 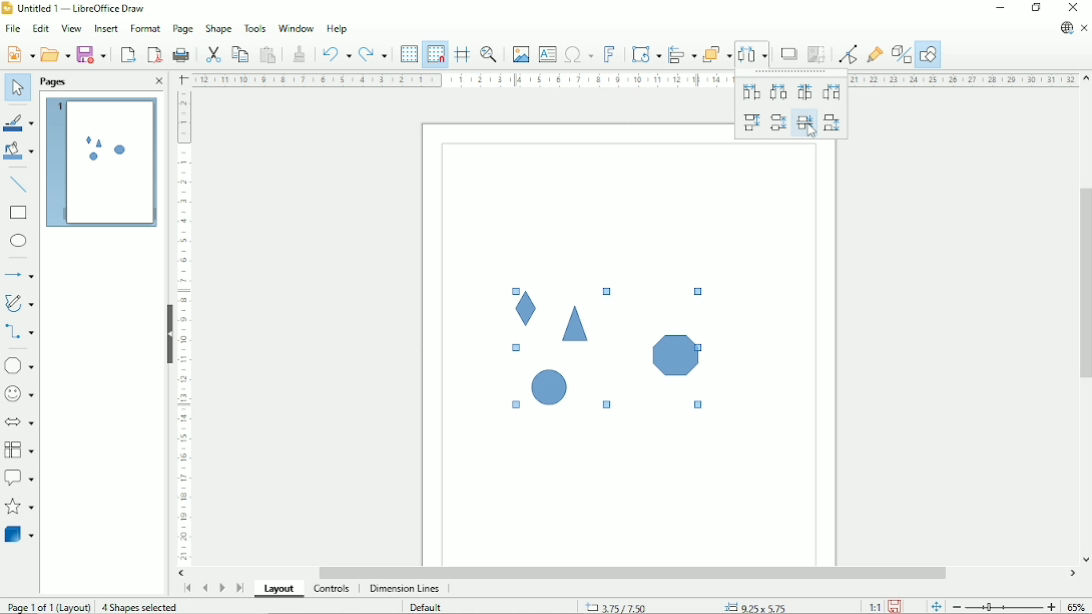 What do you see at coordinates (12, 28) in the screenshot?
I see `File` at bounding box center [12, 28].